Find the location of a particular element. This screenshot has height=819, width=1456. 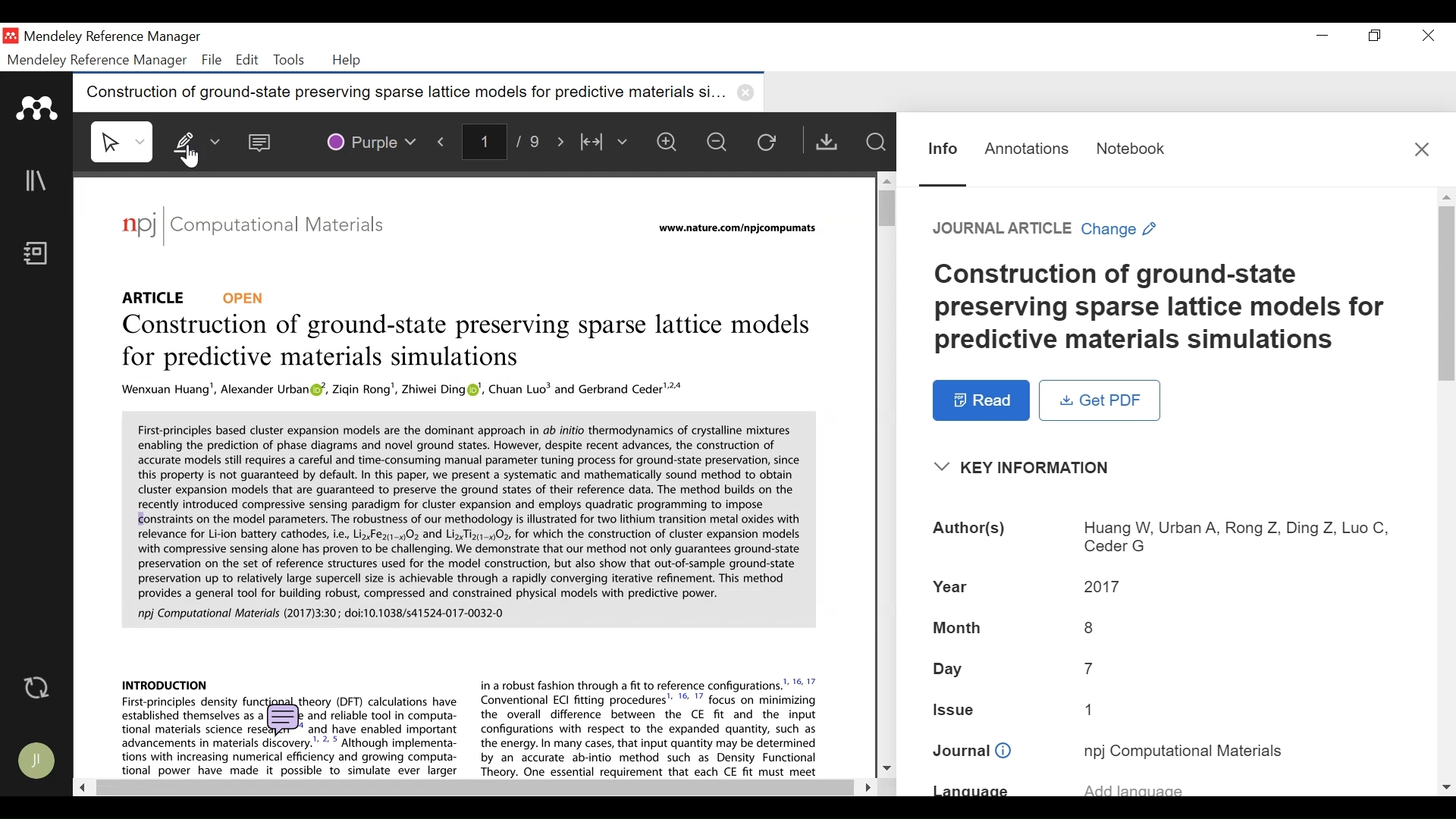

Vertical Scroll bar is located at coordinates (1447, 290).